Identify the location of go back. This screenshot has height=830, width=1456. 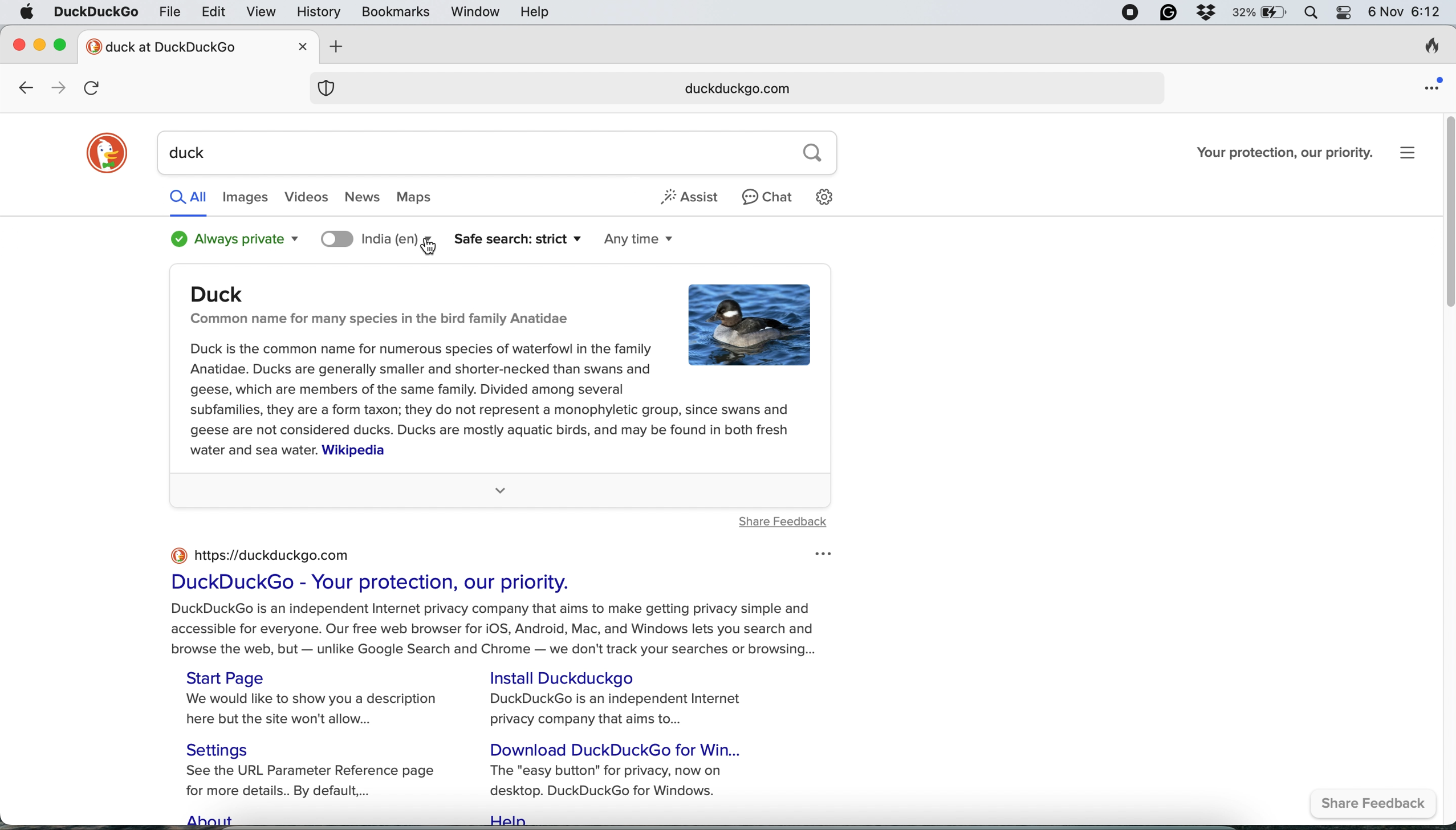
(25, 89).